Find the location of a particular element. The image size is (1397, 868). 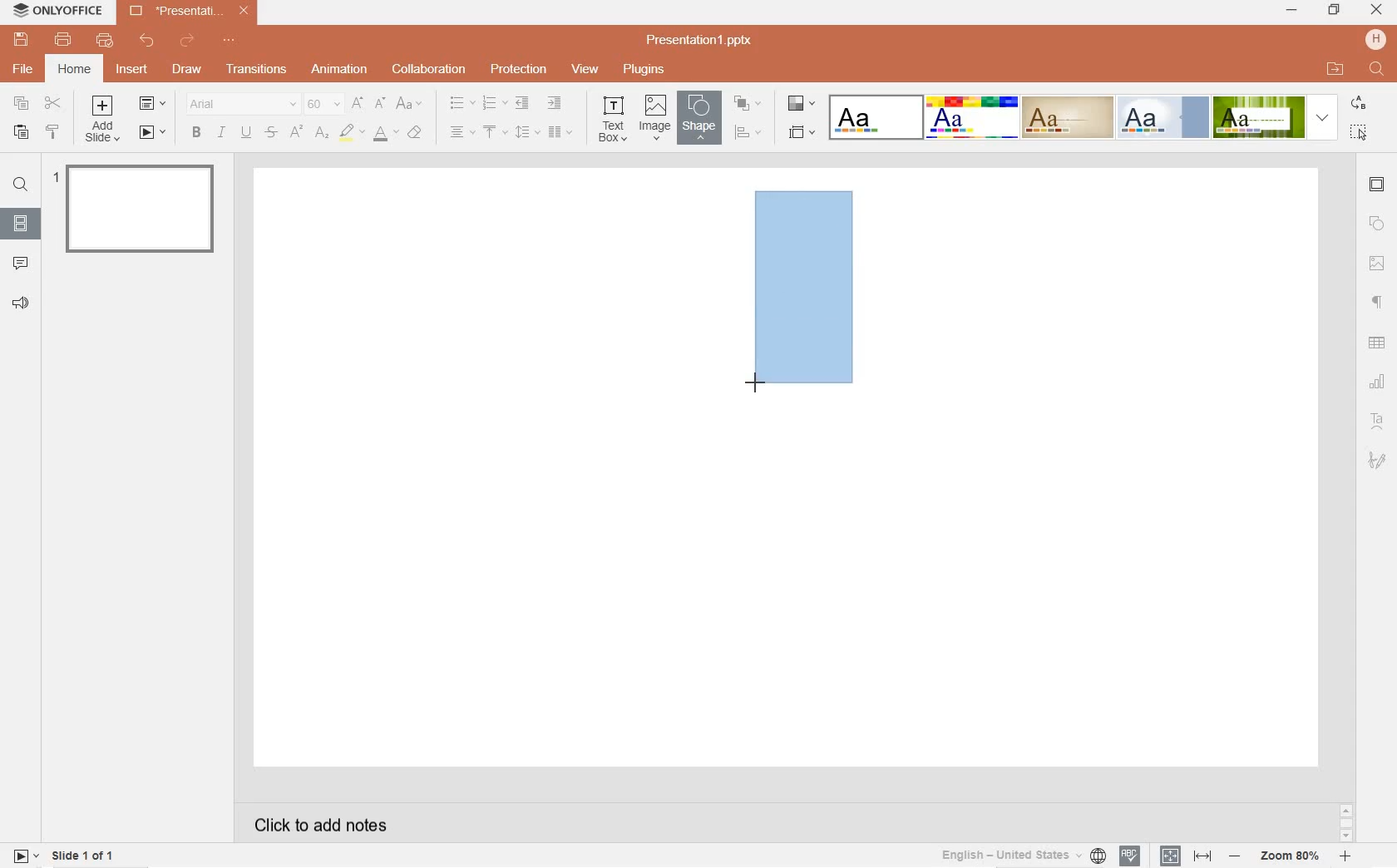

customize quick access toolbar is located at coordinates (233, 42).